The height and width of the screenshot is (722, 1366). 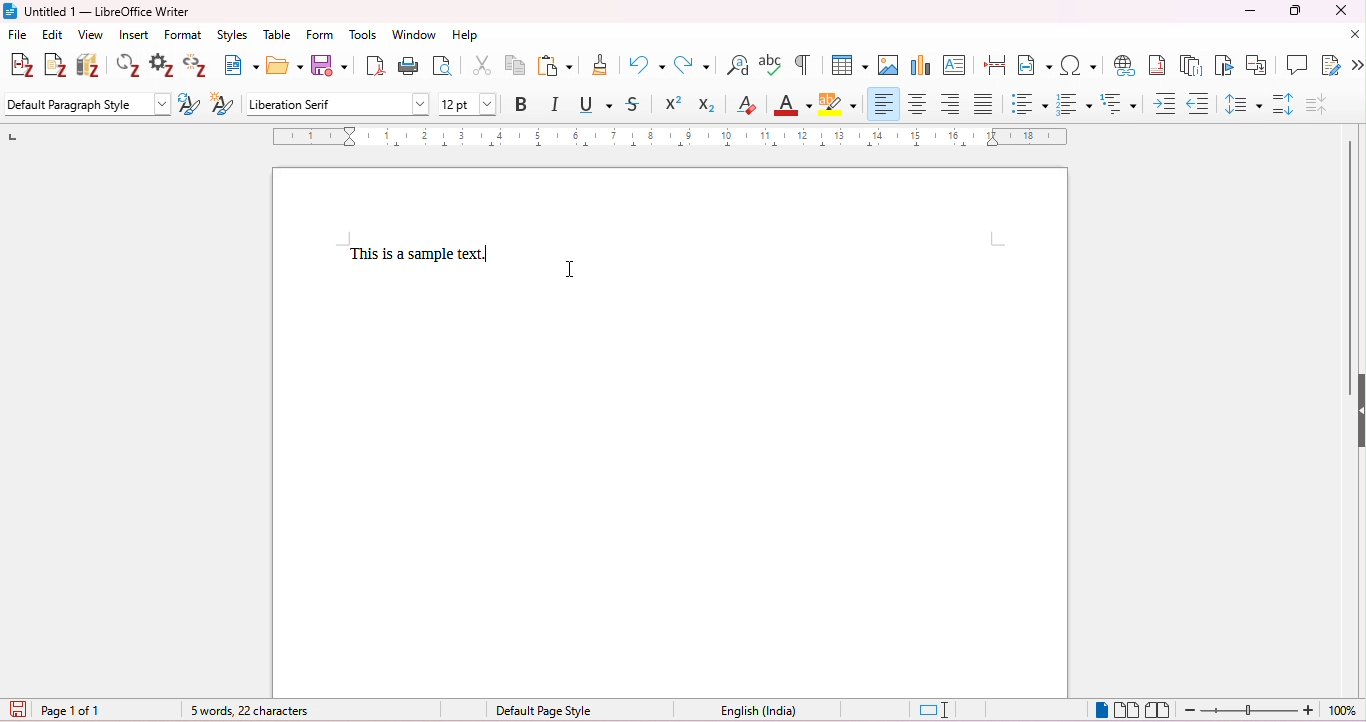 I want to click on new, so click(x=242, y=66).